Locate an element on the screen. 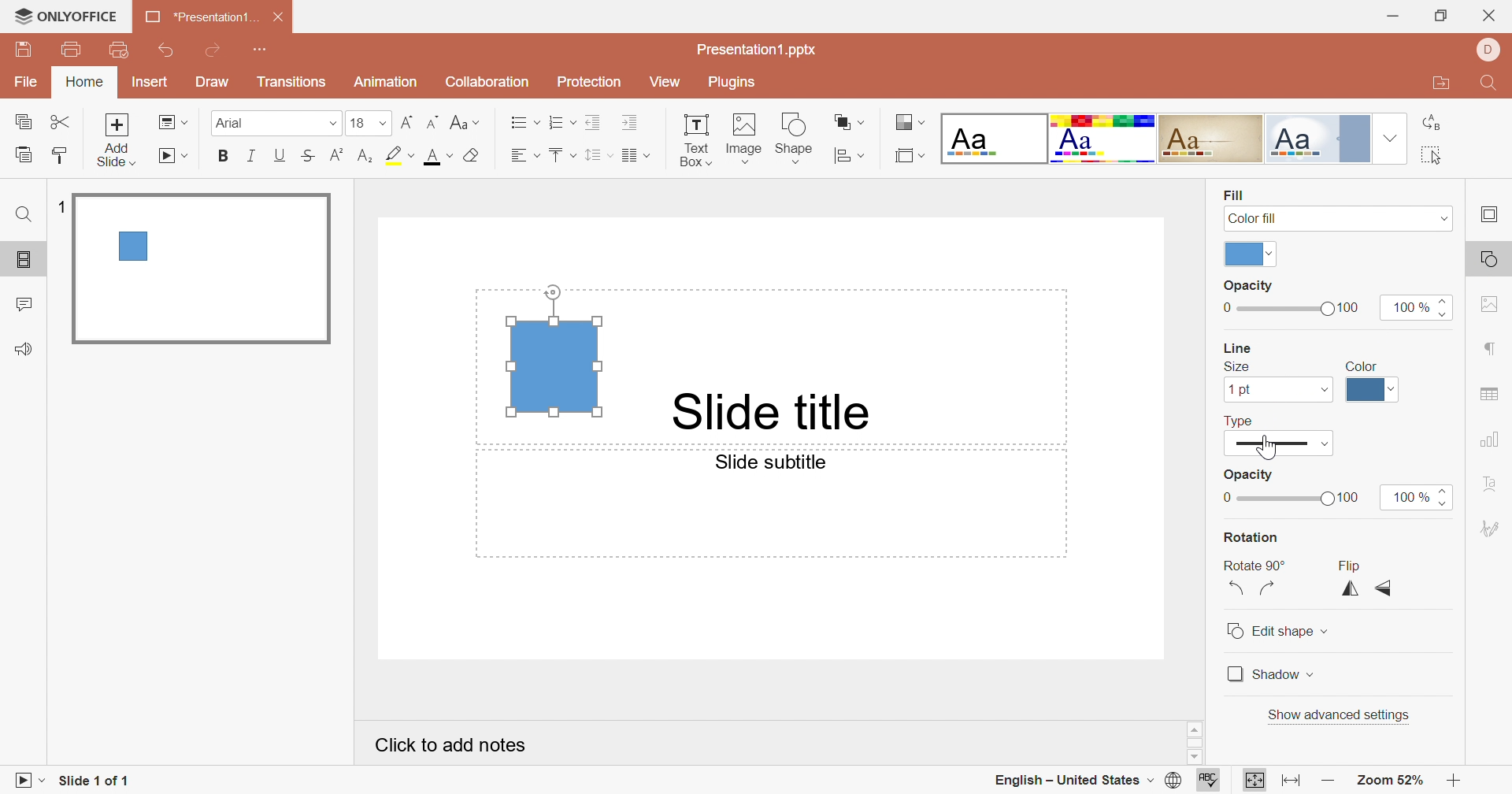 This screenshot has width=1512, height=794. Strikethrough is located at coordinates (313, 155).